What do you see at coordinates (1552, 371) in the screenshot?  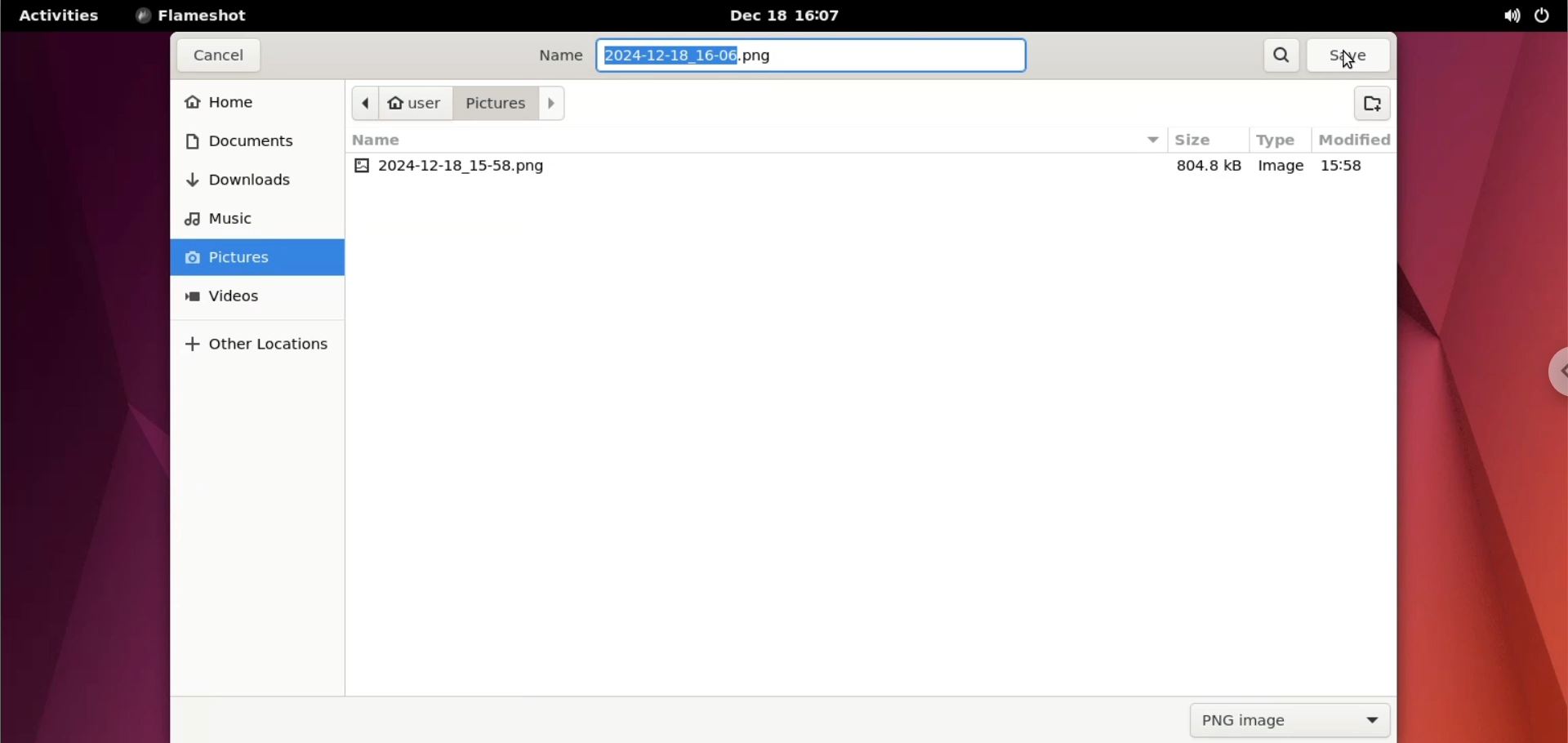 I see `chrome options` at bounding box center [1552, 371].